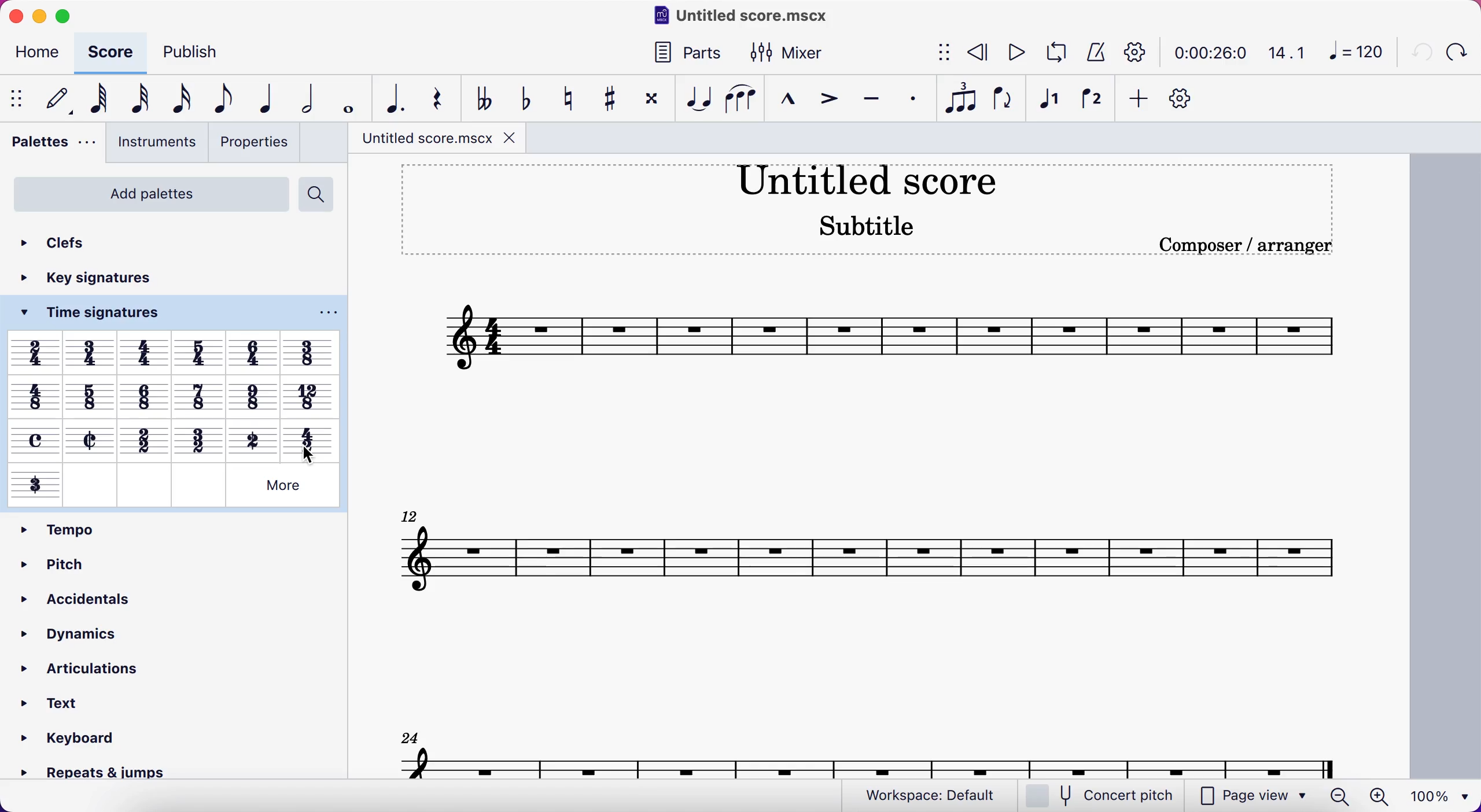 Image resolution: width=1481 pixels, height=812 pixels. Describe the element at coordinates (867, 179) in the screenshot. I see `title` at that location.